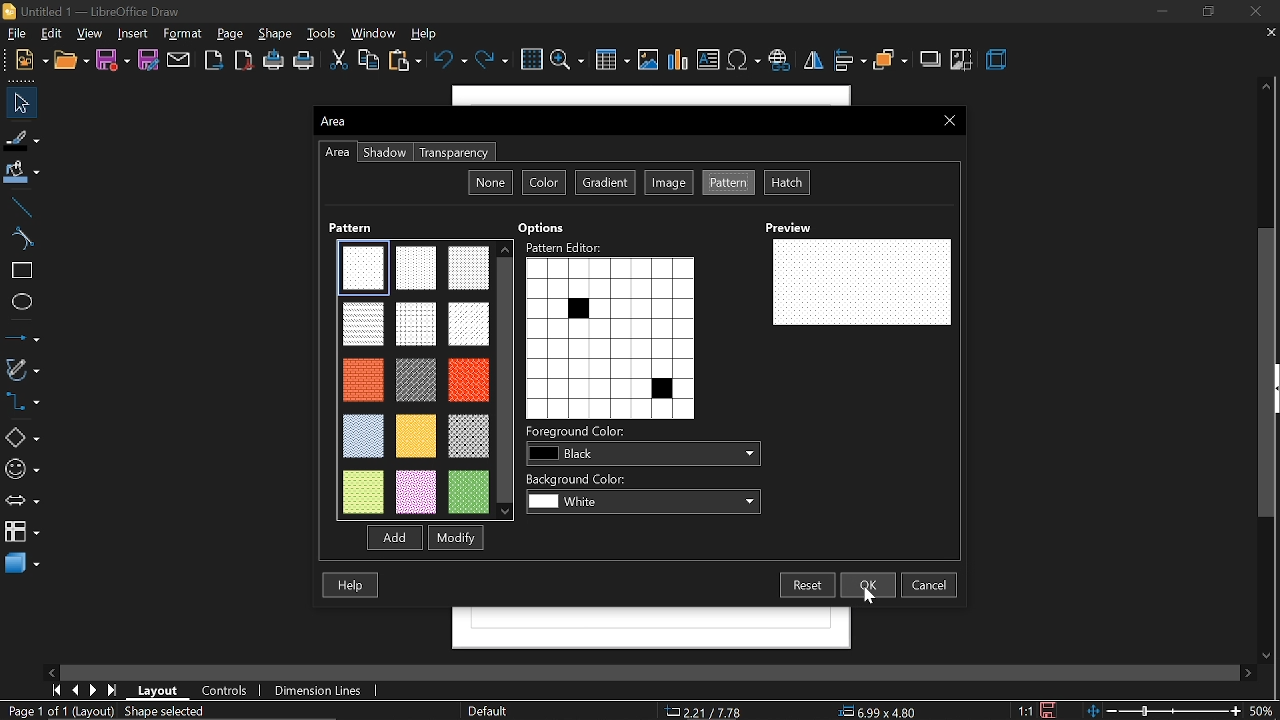 The width and height of the screenshot is (1280, 720). I want to click on curves and polygons, so click(22, 368).